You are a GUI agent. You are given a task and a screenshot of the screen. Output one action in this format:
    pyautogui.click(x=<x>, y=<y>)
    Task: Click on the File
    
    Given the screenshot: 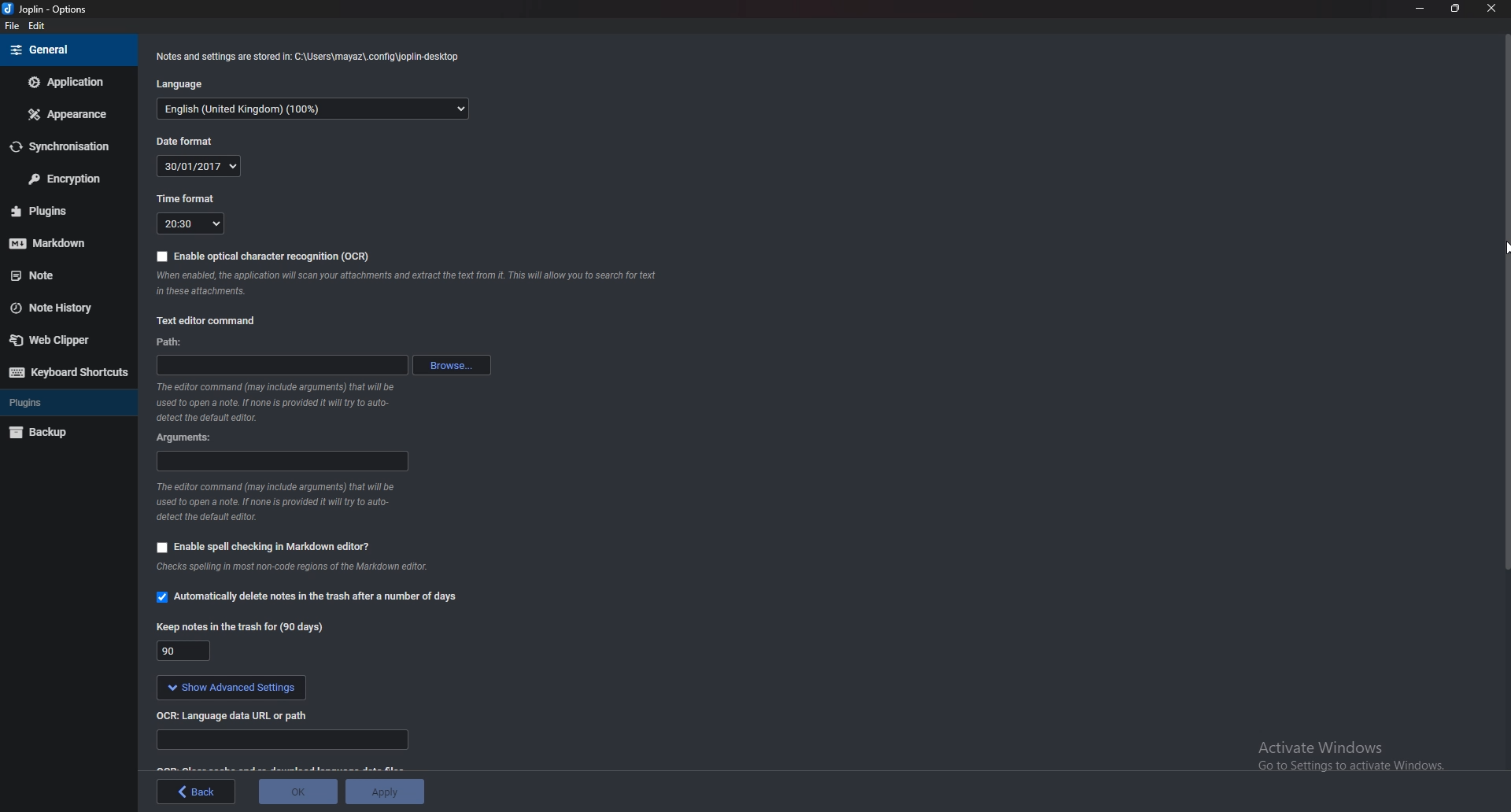 What is the action you would take?
    pyautogui.click(x=13, y=26)
    